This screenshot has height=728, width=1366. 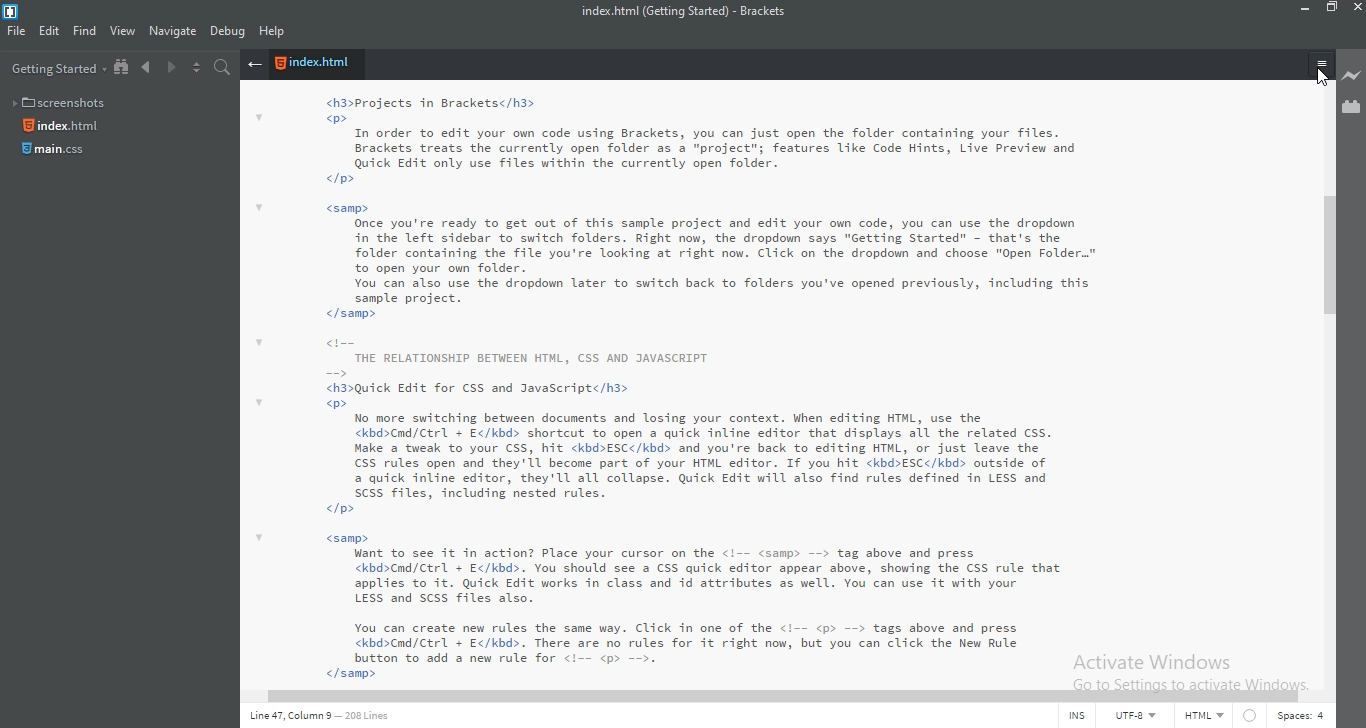 What do you see at coordinates (784, 379) in the screenshot?
I see `code space` at bounding box center [784, 379].